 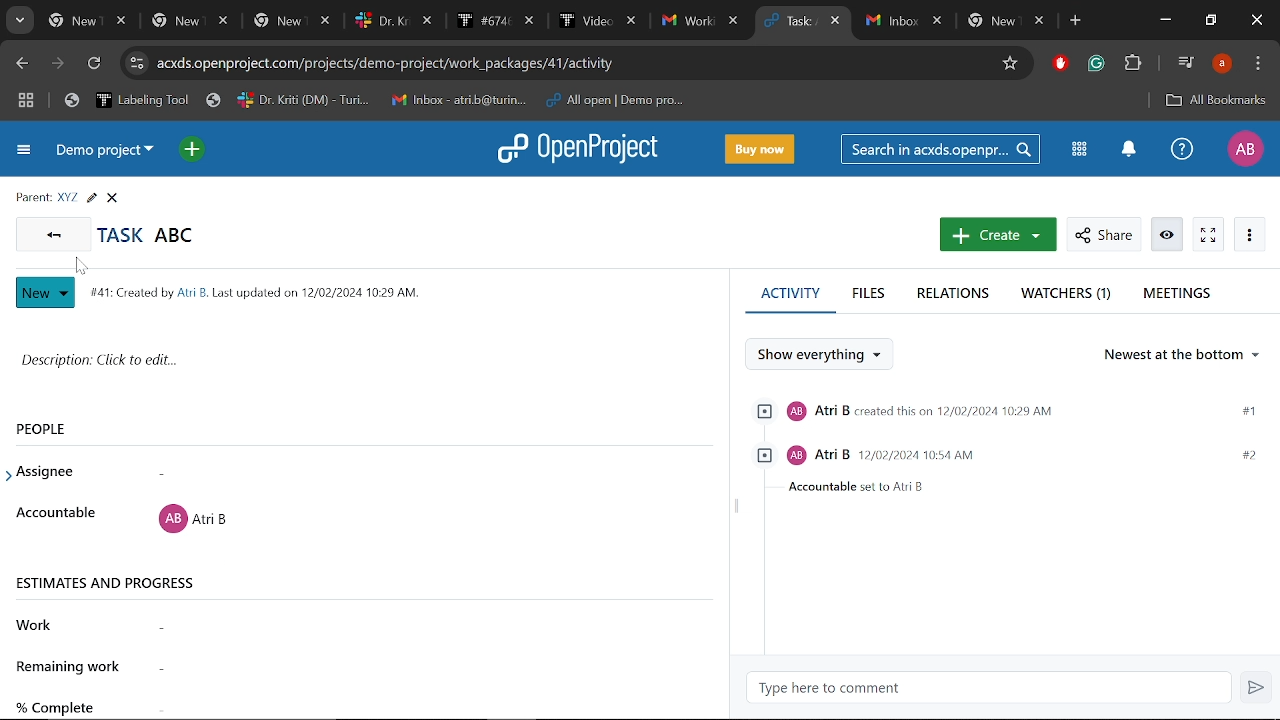 I want to click on 141: Created by Ai B. Last updated on 12/02/2024 1029 AM., so click(x=265, y=290).